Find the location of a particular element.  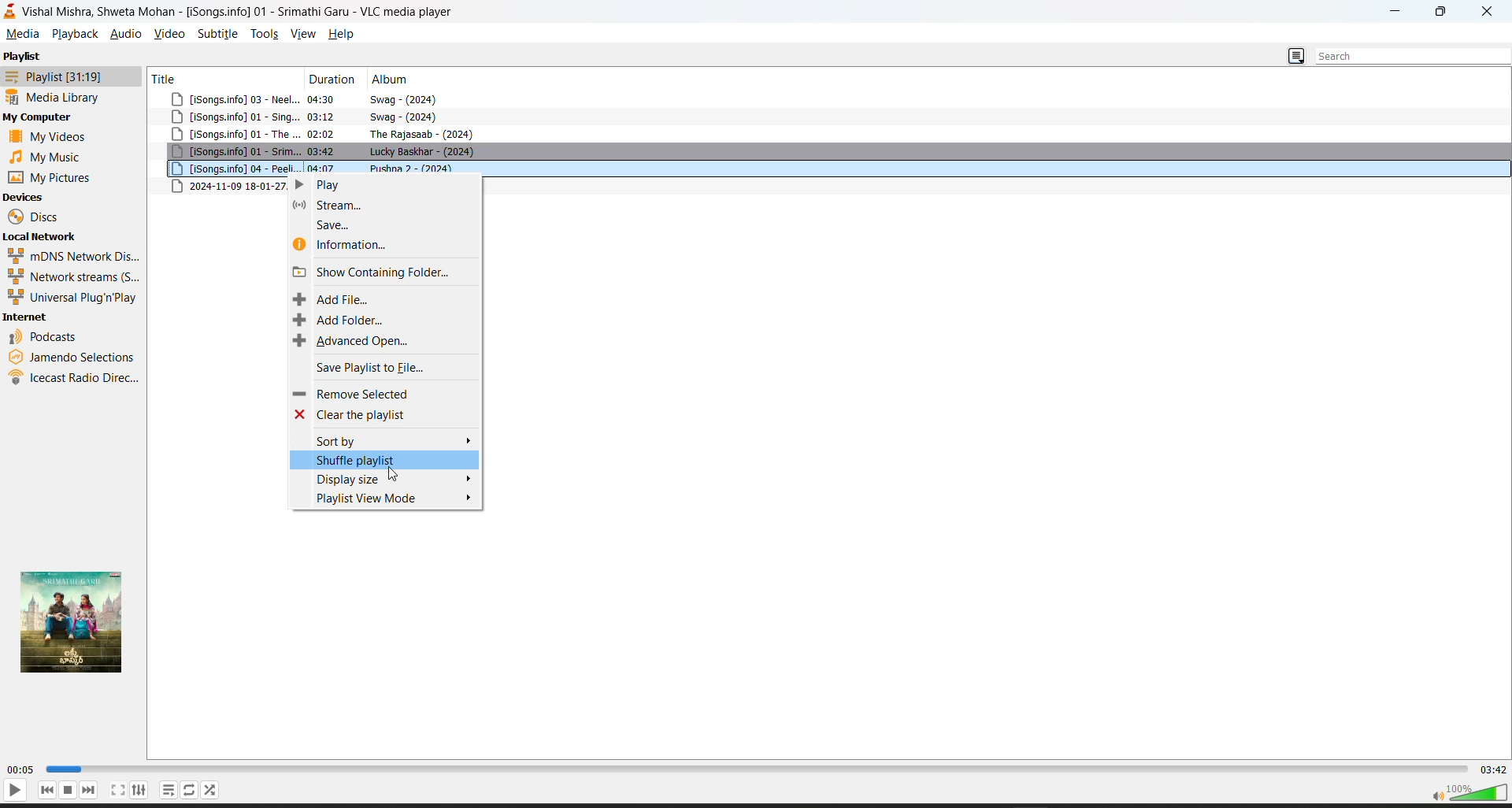

tools is located at coordinates (262, 33).